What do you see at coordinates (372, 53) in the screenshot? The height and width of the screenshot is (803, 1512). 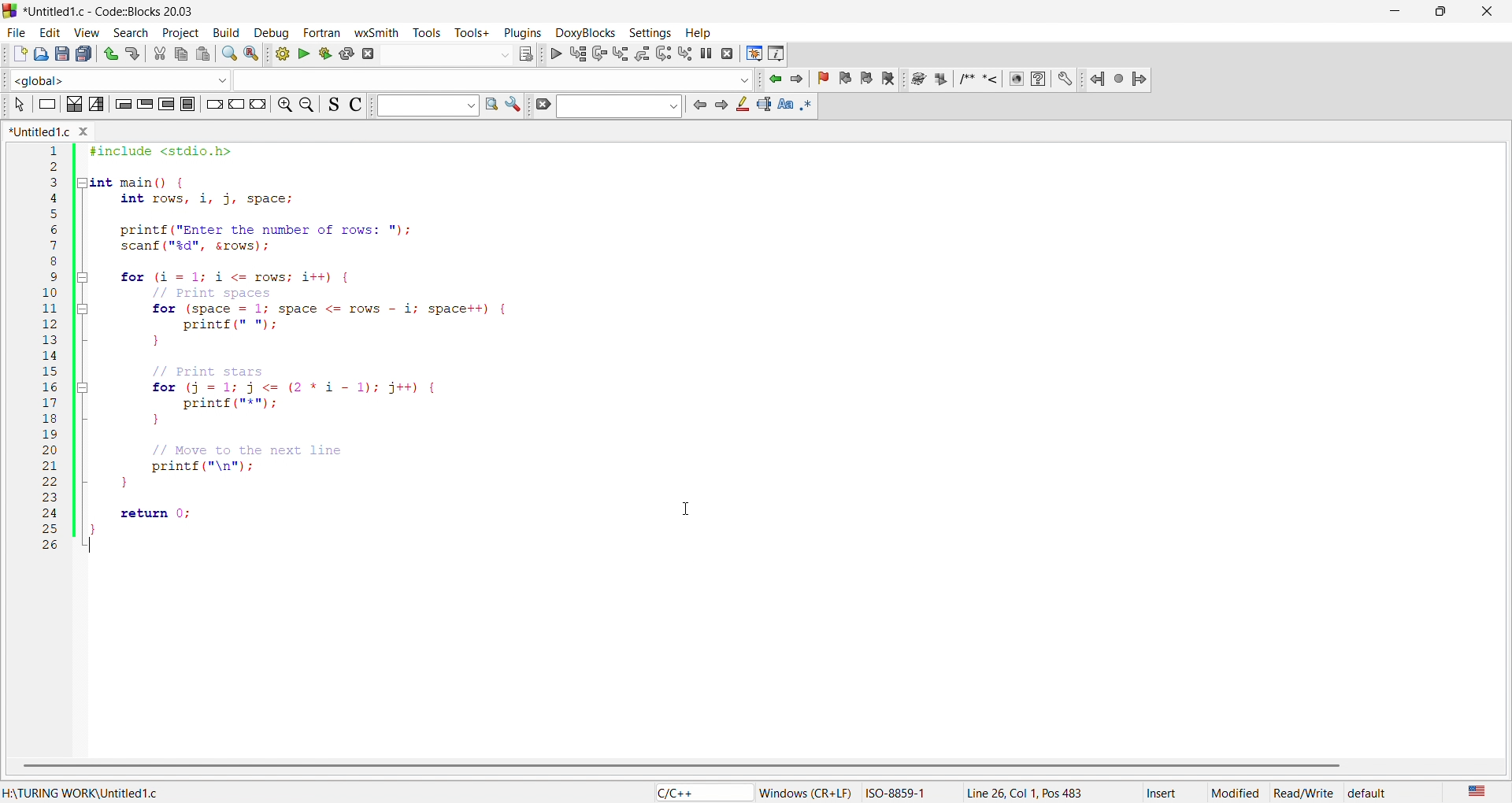 I see `abort` at bounding box center [372, 53].